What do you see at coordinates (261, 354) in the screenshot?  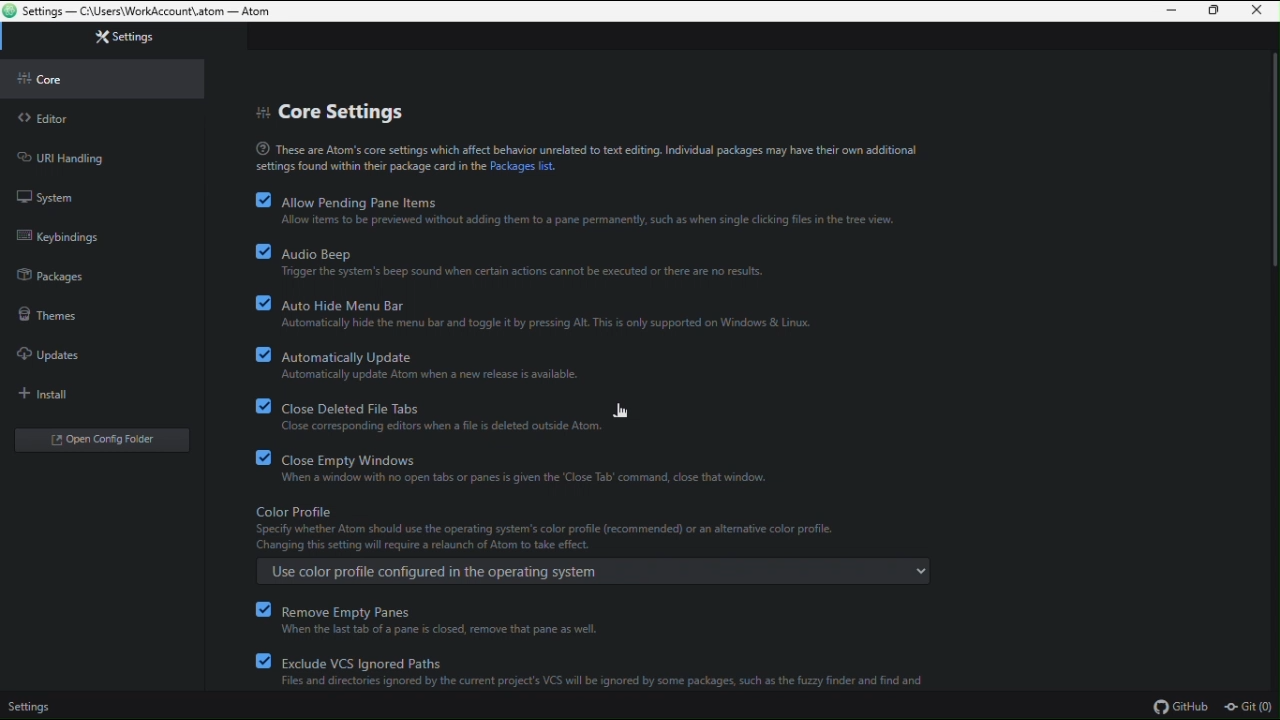 I see `checkbox` at bounding box center [261, 354].